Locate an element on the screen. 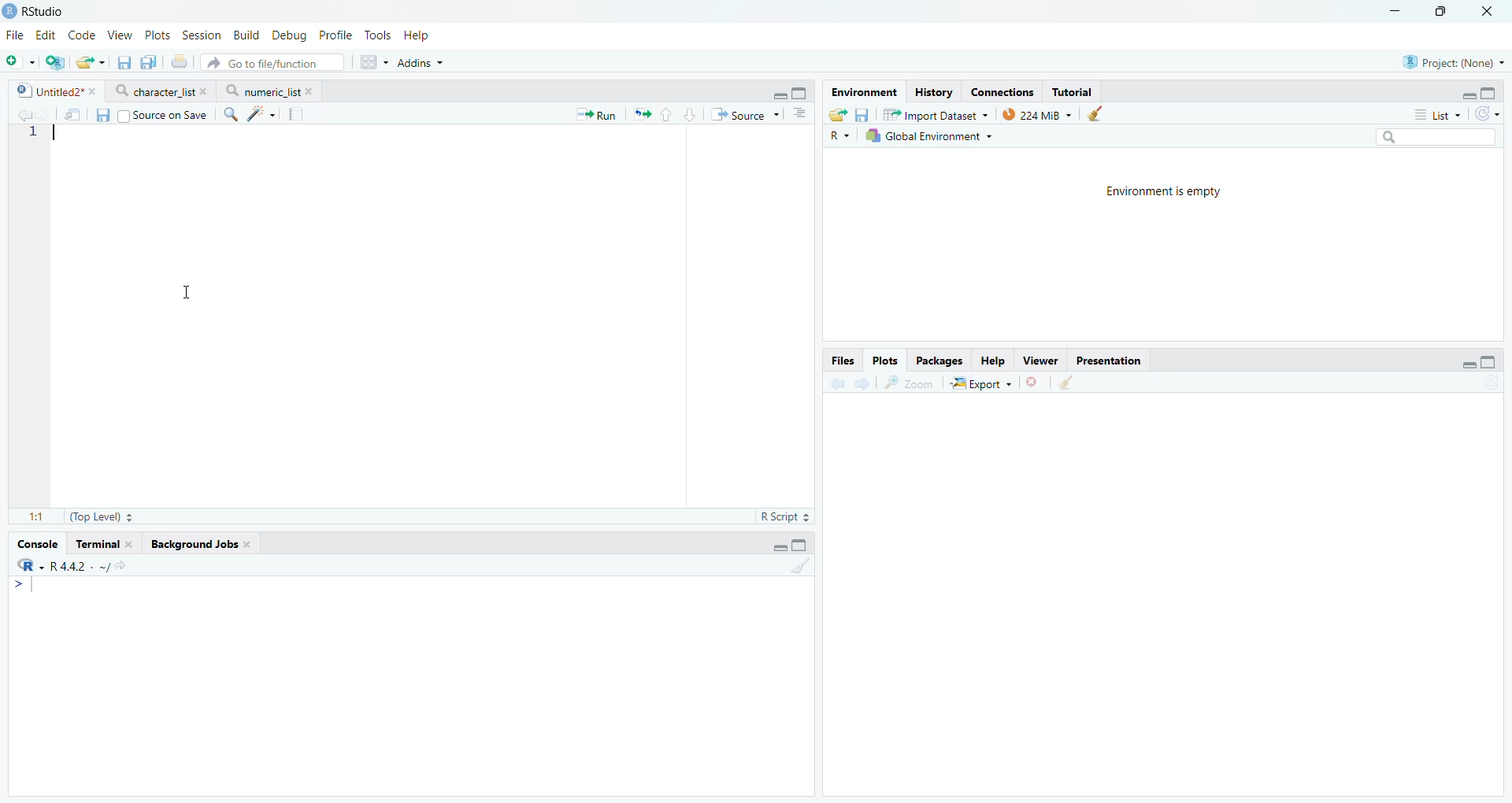 The height and width of the screenshot is (803, 1512). Help is located at coordinates (994, 361).